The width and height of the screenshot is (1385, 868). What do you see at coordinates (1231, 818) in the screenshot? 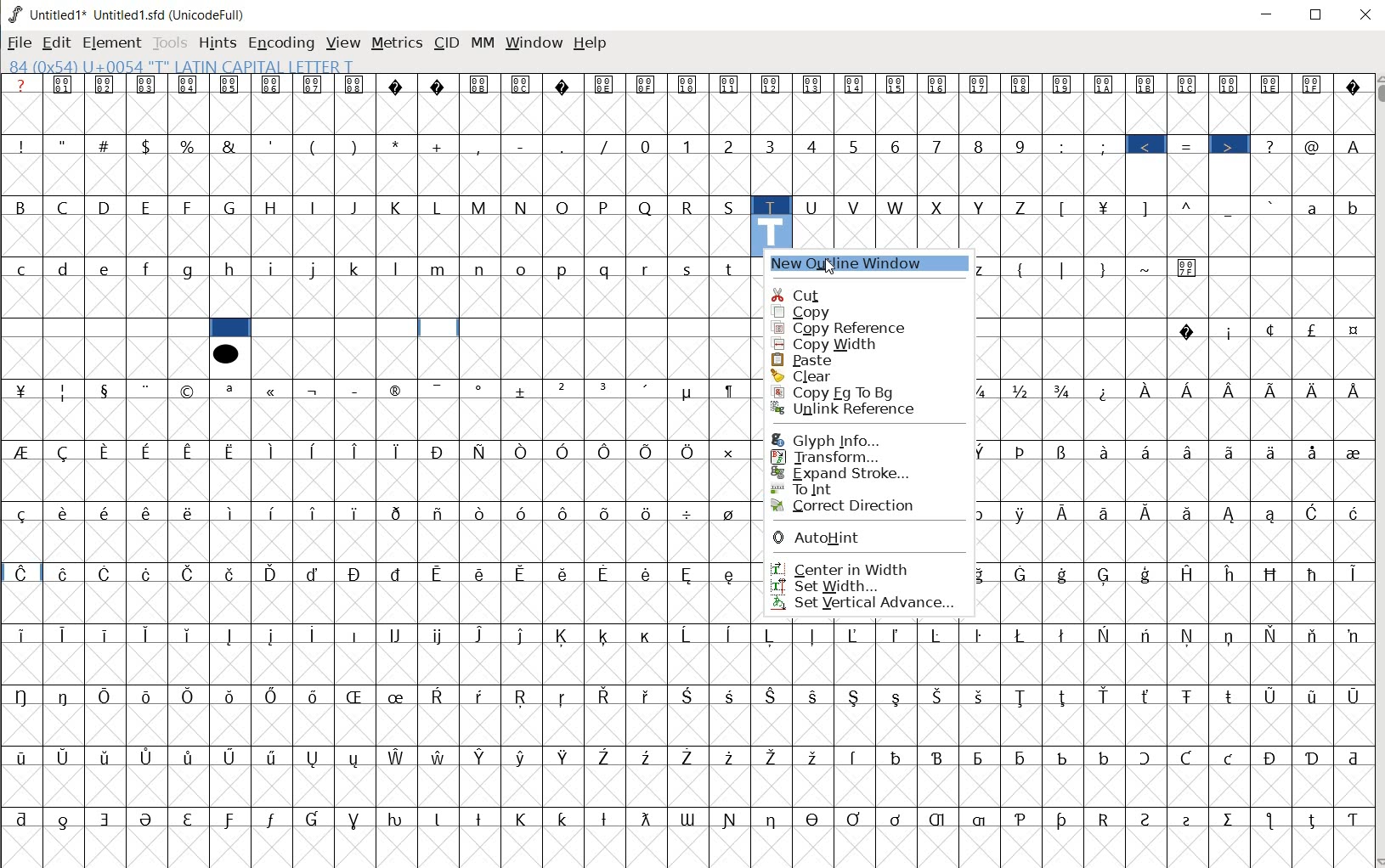
I see `Symbol` at bounding box center [1231, 818].